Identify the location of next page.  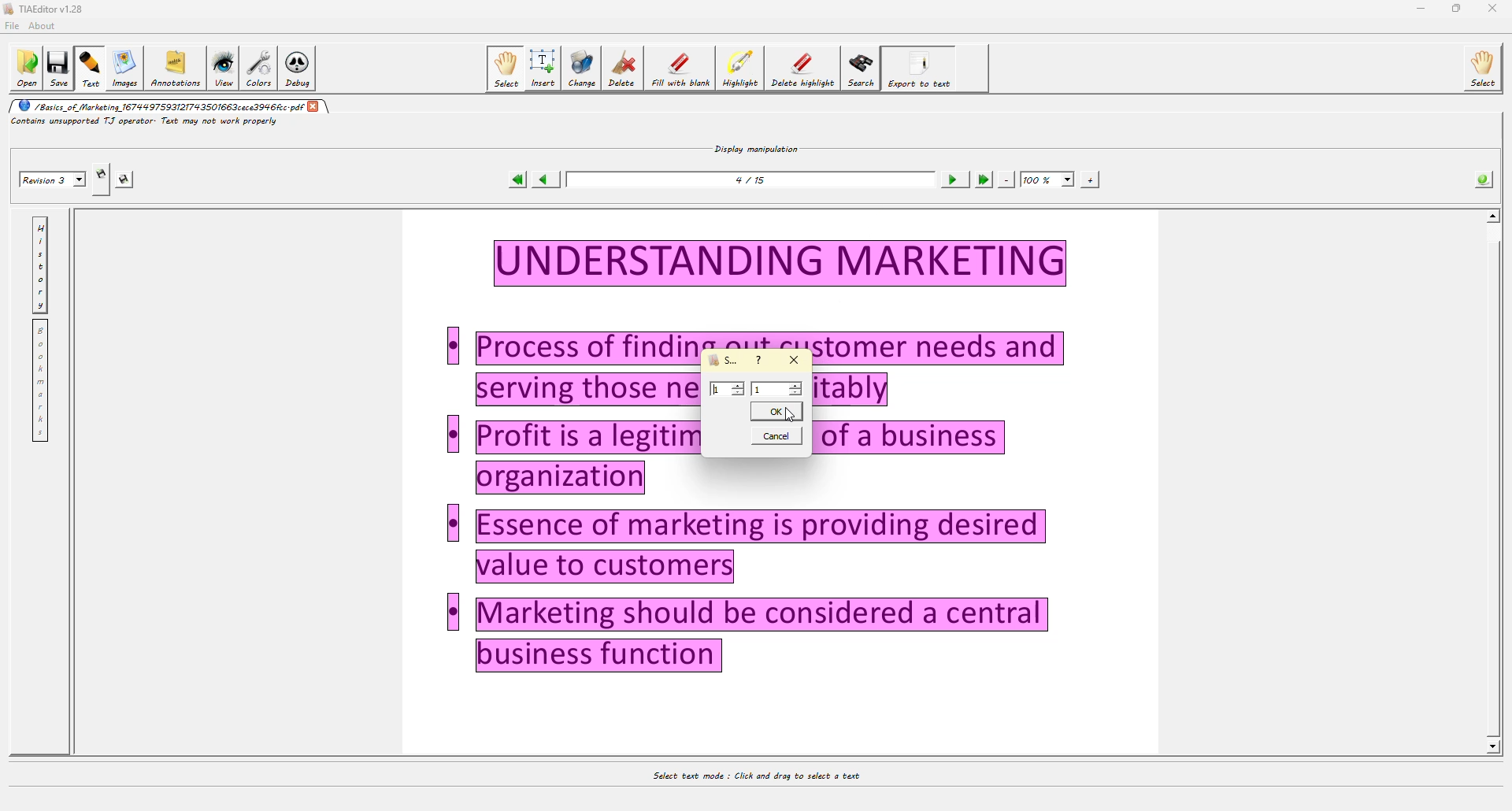
(951, 180).